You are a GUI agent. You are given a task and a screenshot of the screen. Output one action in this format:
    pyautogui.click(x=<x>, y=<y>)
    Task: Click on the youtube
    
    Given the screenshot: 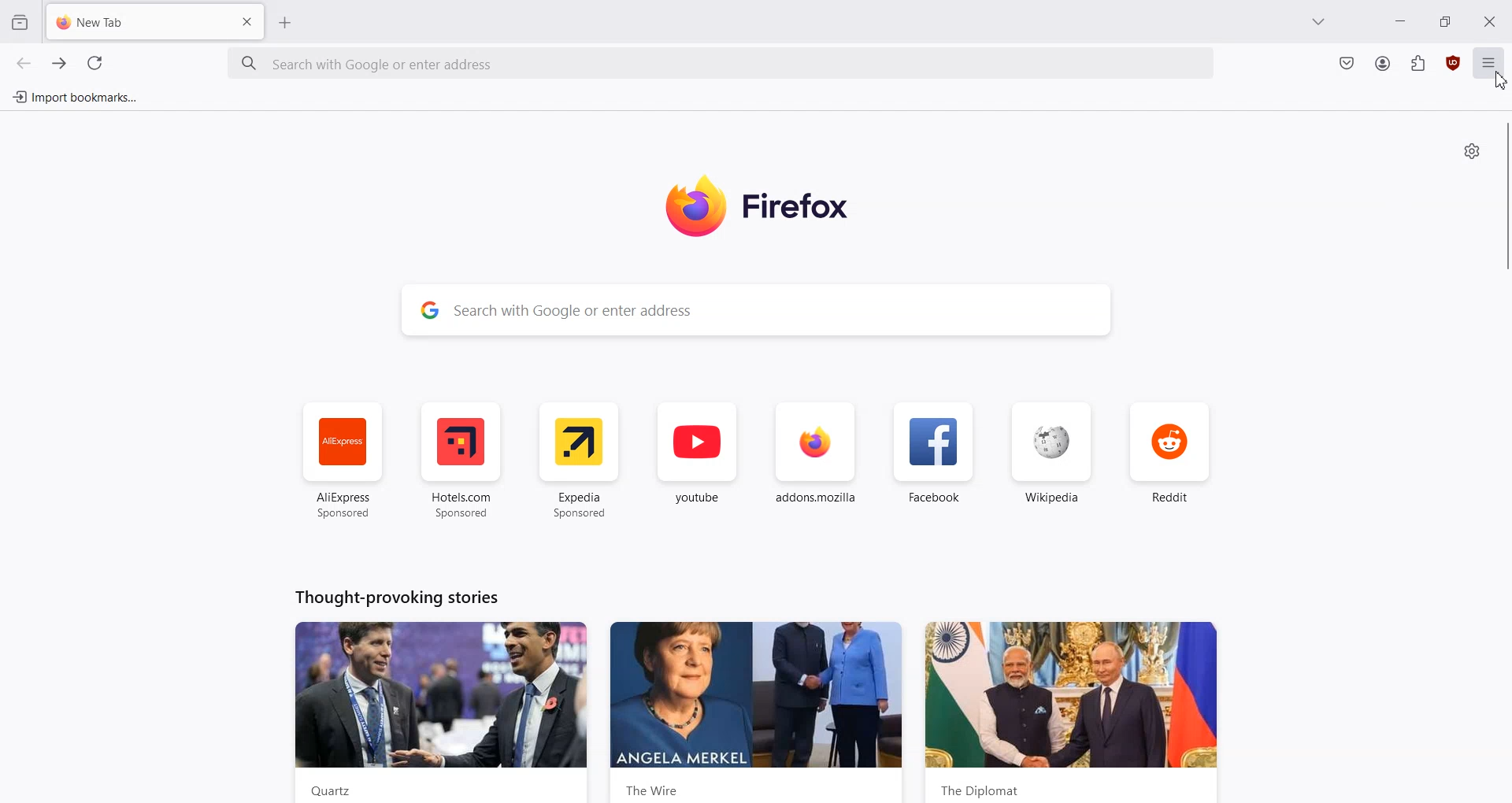 What is the action you would take?
    pyautogui.click(x=697, y=461)
    